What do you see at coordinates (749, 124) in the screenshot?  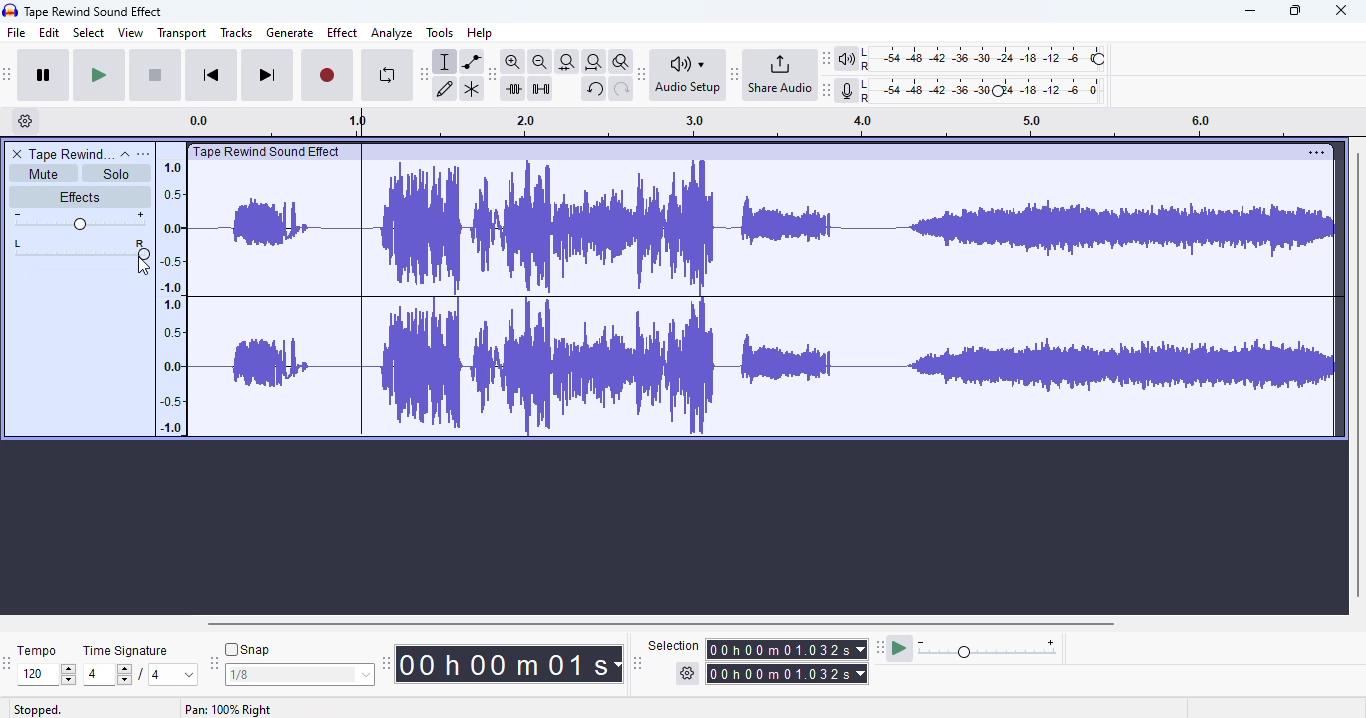 I see `timeline` at bounding box center [749, 124].